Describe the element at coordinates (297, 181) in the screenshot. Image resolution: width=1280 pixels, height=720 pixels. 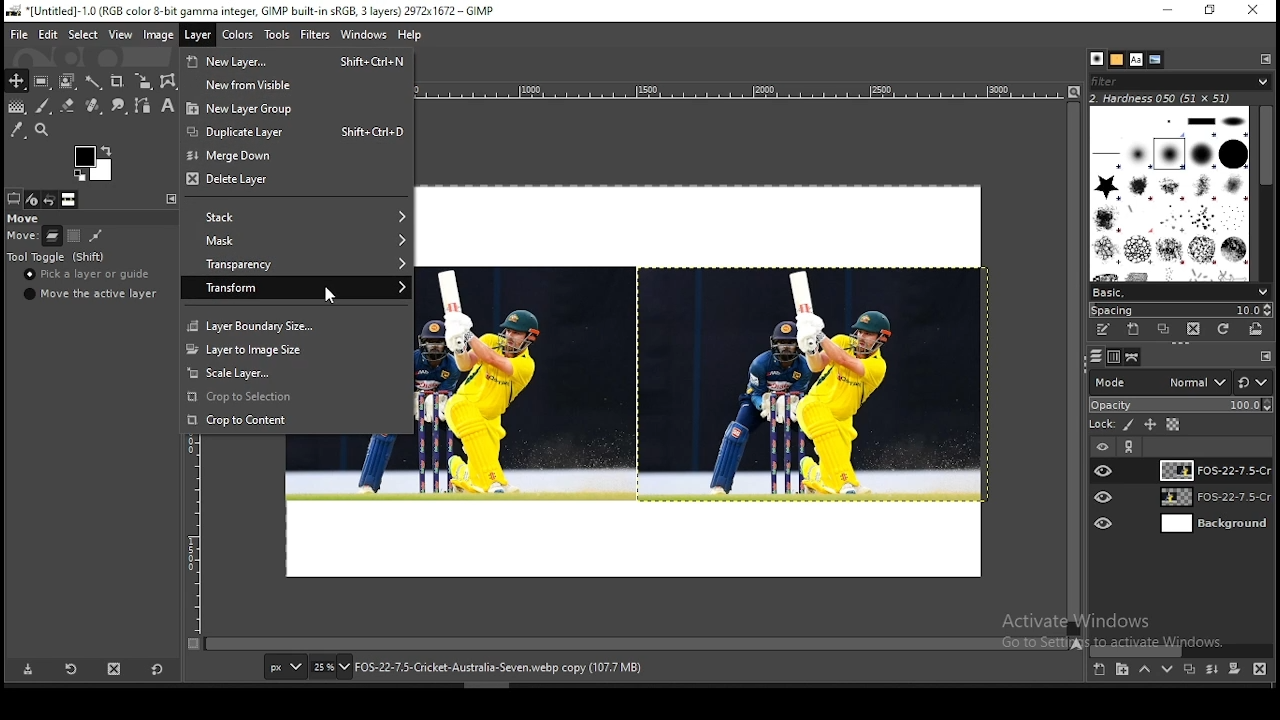
I see `delete layer` at that location.